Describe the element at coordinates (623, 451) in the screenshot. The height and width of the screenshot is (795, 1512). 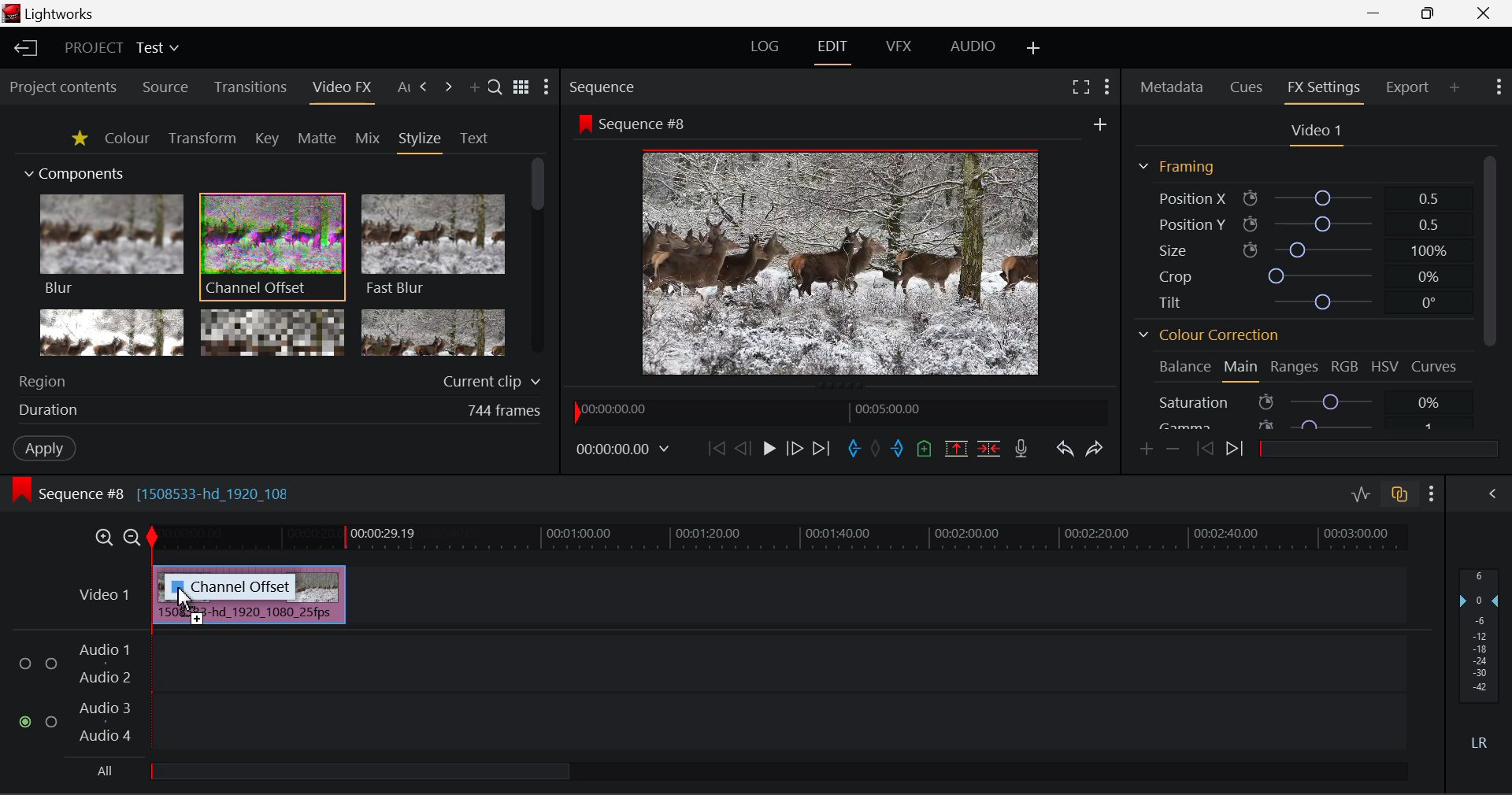
I see `Frame Time` at that location.